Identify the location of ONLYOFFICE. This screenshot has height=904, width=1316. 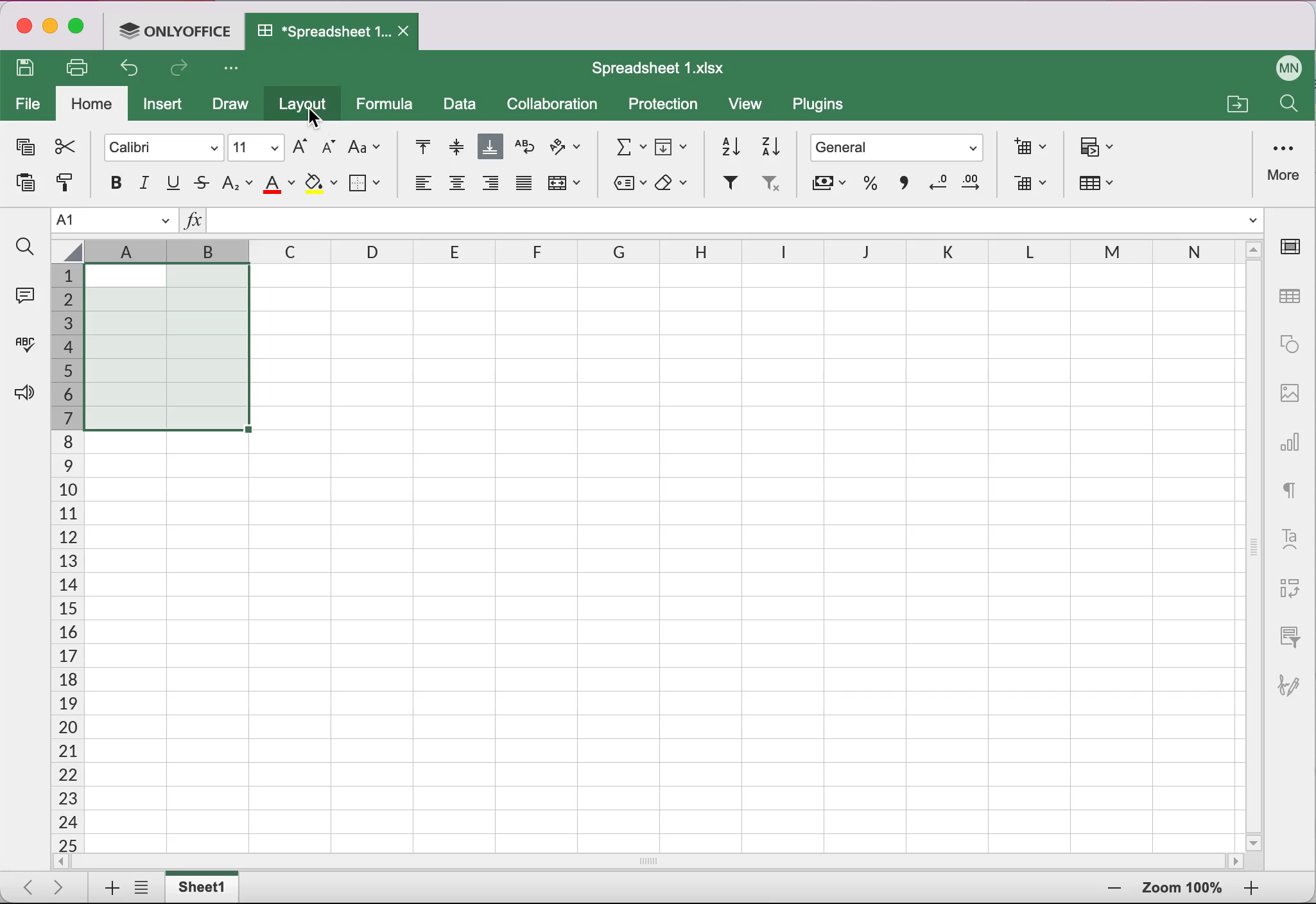
(178, 30).